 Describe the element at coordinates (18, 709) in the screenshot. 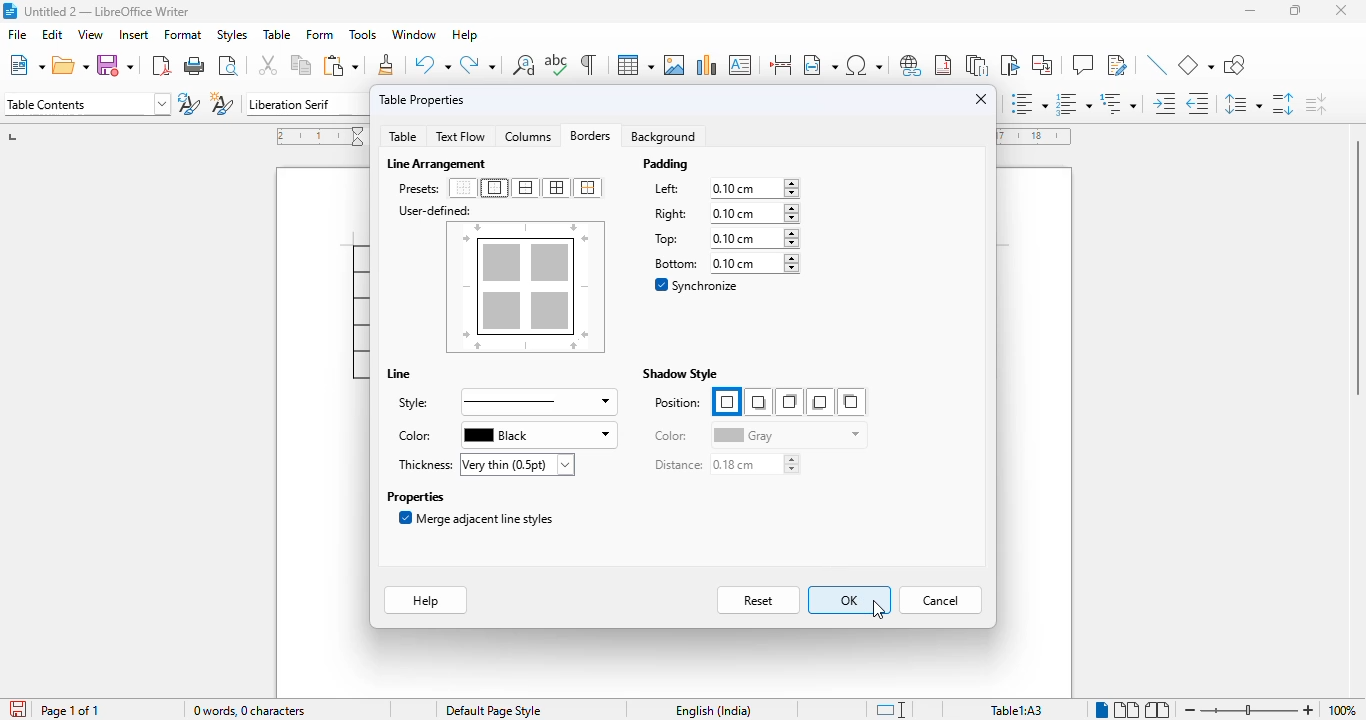

I see `click to save the document` at that location.